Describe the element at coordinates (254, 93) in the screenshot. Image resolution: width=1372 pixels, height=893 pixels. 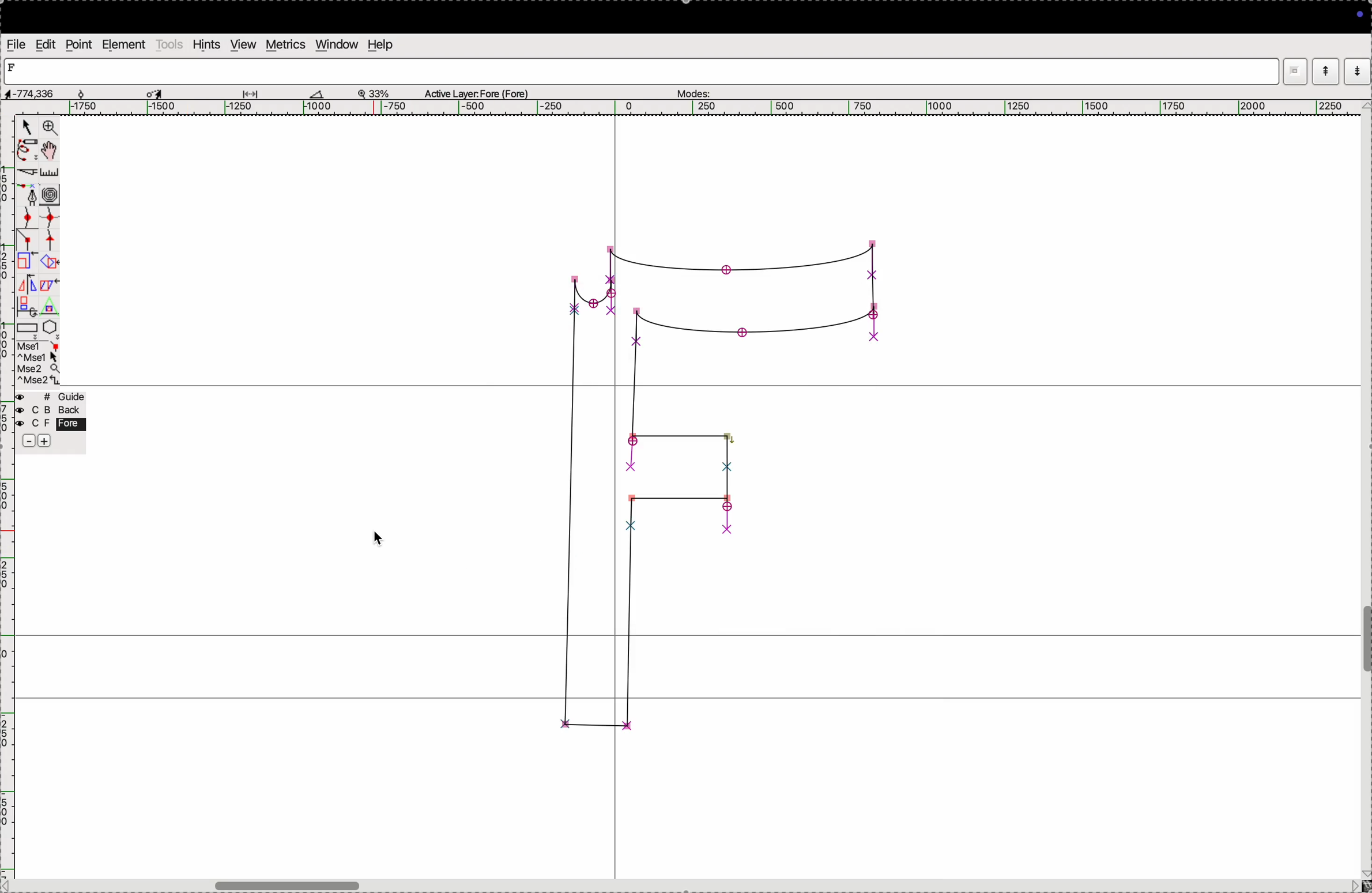
I see `glide` at that location.